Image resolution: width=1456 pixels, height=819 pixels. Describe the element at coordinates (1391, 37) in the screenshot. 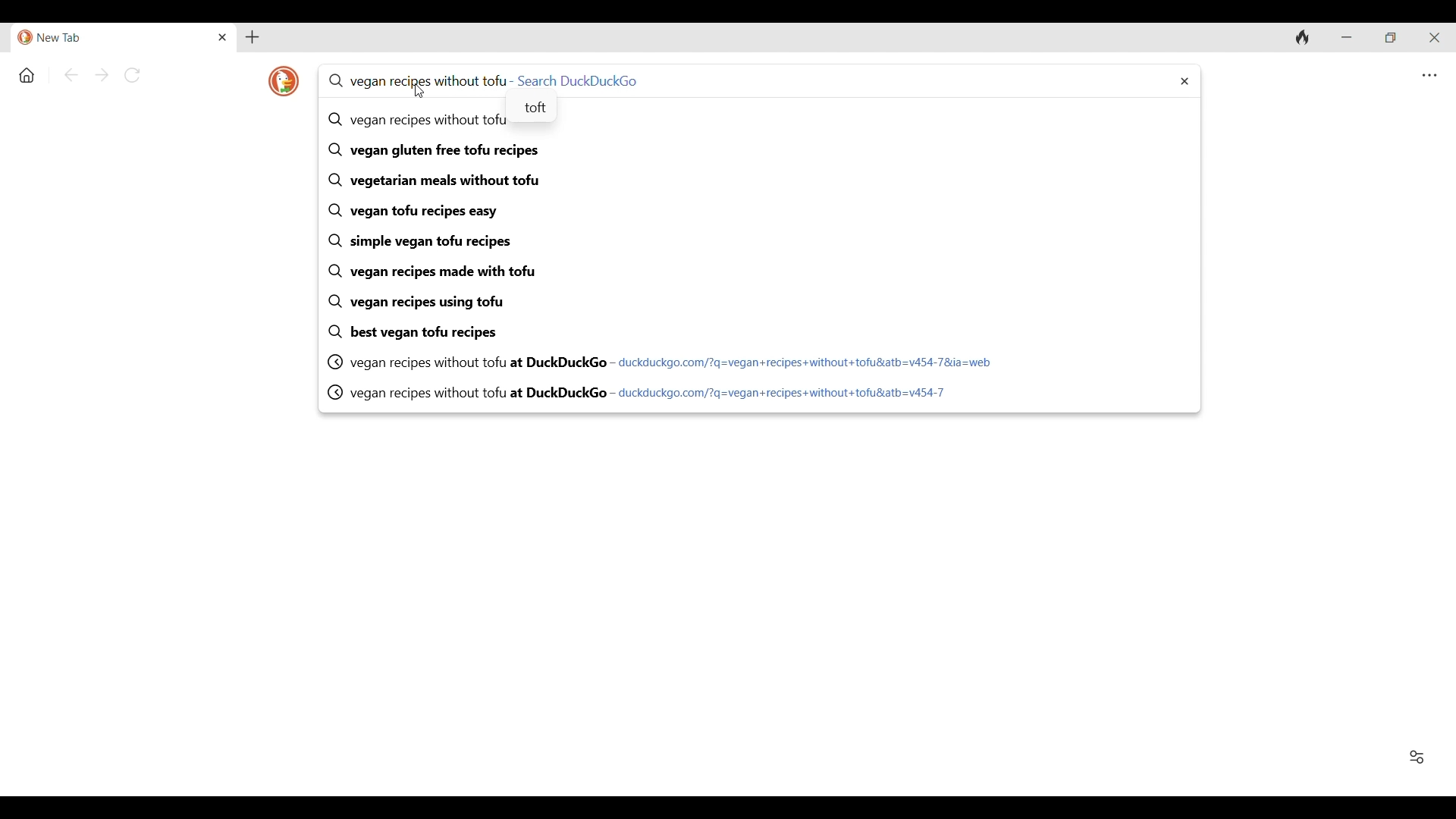

I see `Show interface in a smaller tab` at that location.